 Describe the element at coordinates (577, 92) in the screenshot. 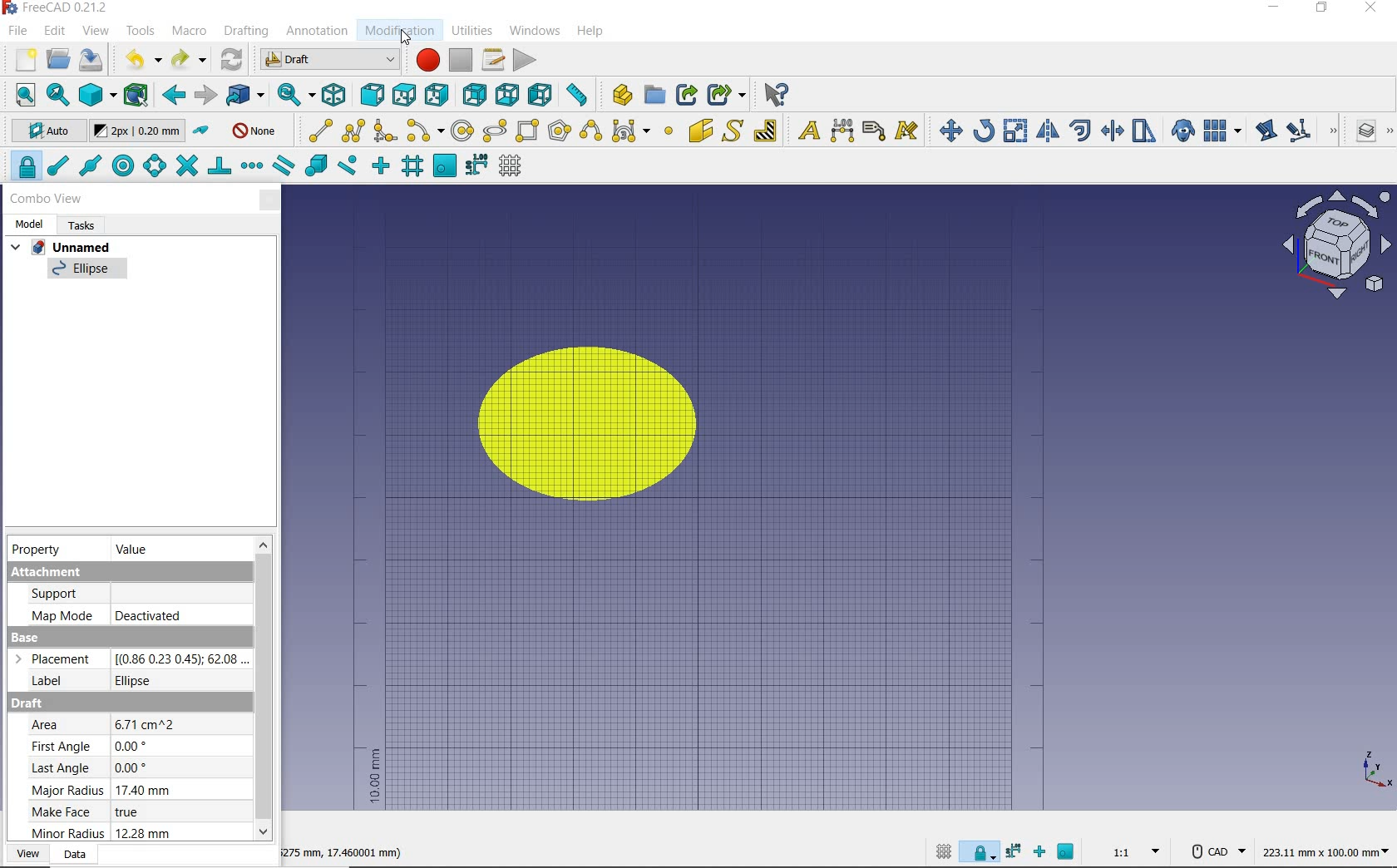

I see `measure distance` at that location.